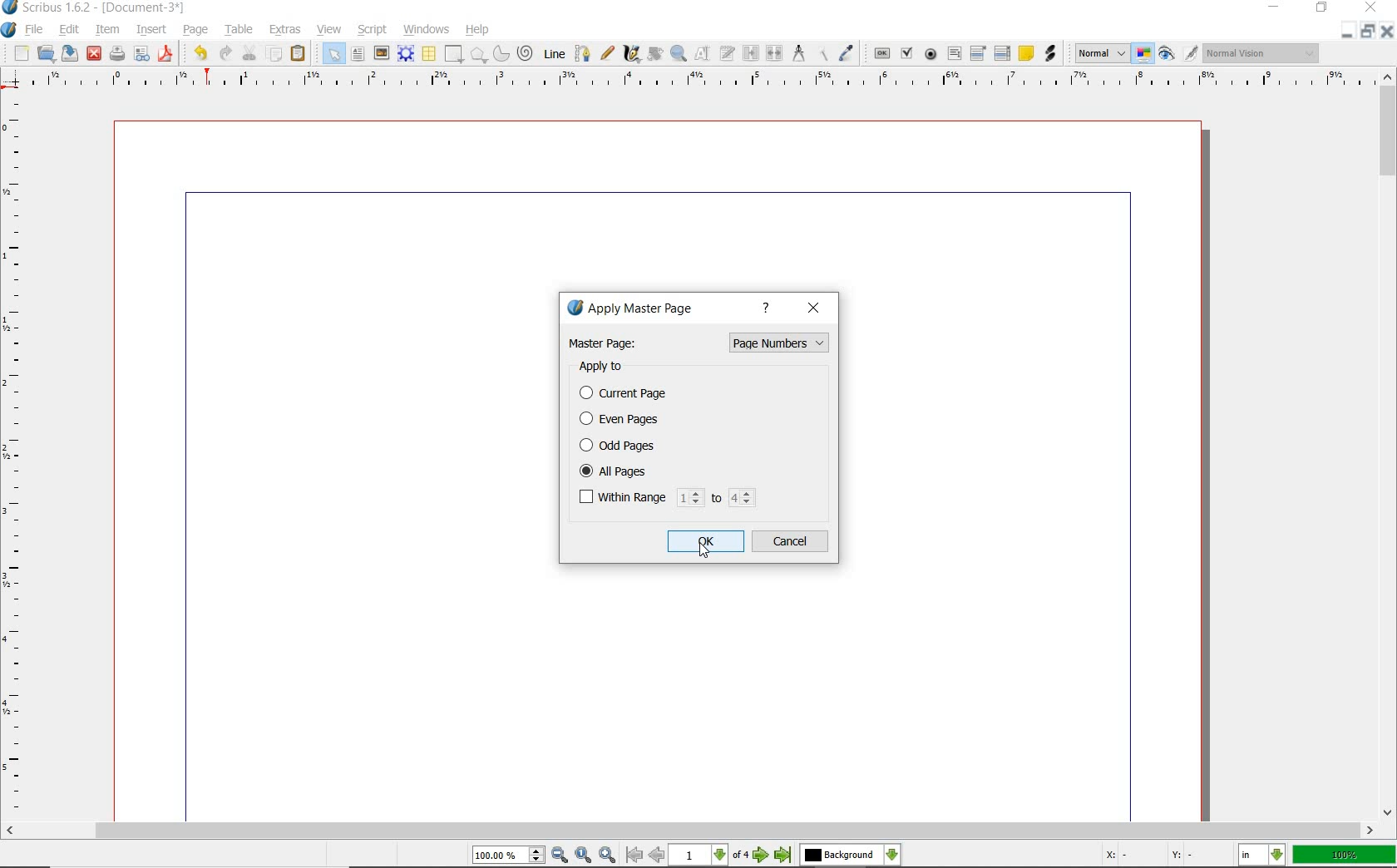  What do you see at coordinates (584, 856) in the screenshot?
I see `Zoom to 100%` at bounding box center [584, 856].